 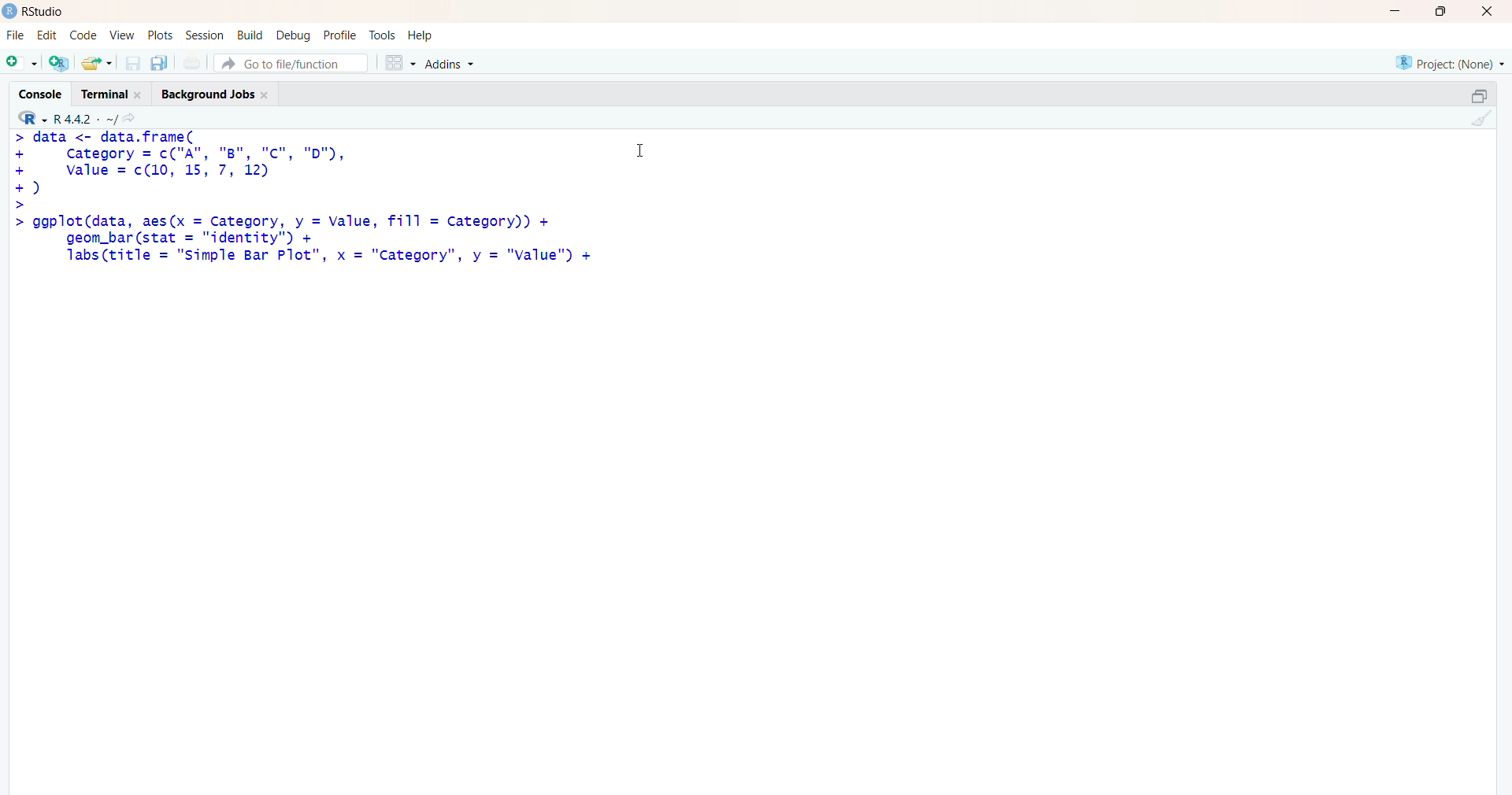 I want to click on edit, so click(x=47, y=35).